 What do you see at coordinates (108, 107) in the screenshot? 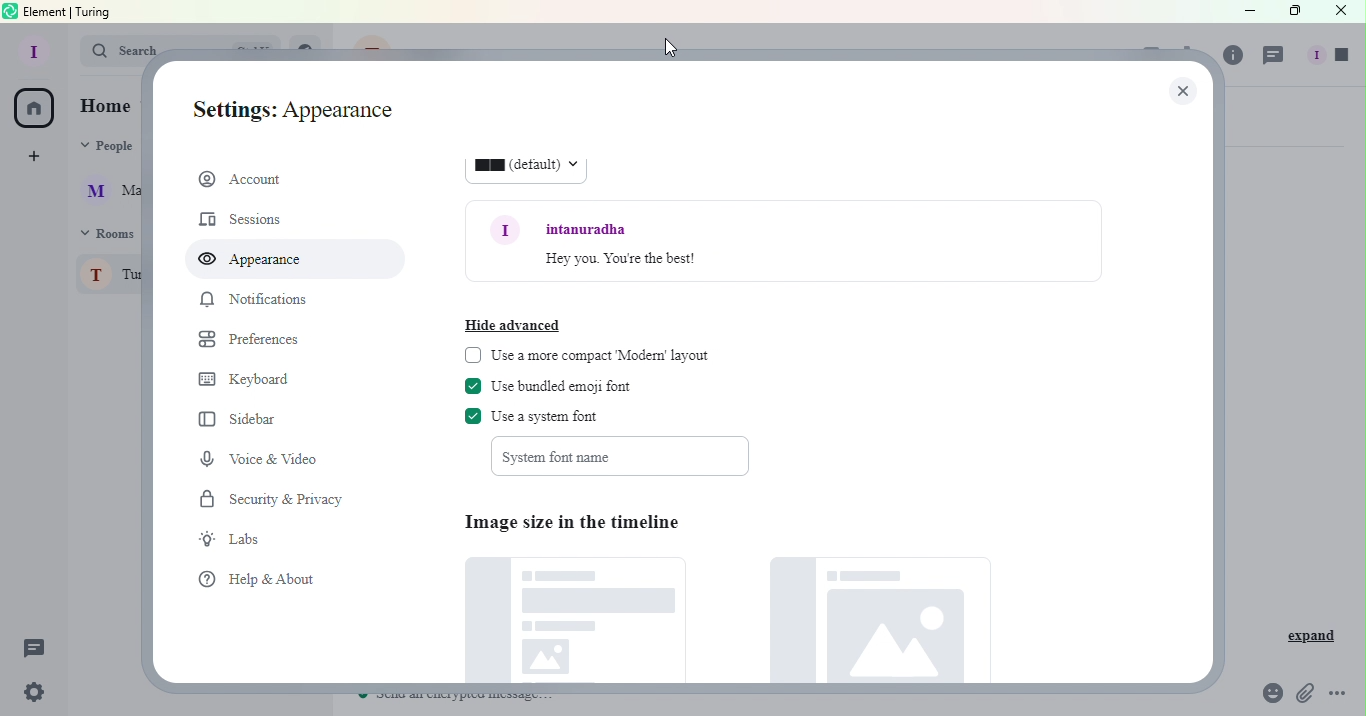
I see `Home` at bounding box center [108, 107].